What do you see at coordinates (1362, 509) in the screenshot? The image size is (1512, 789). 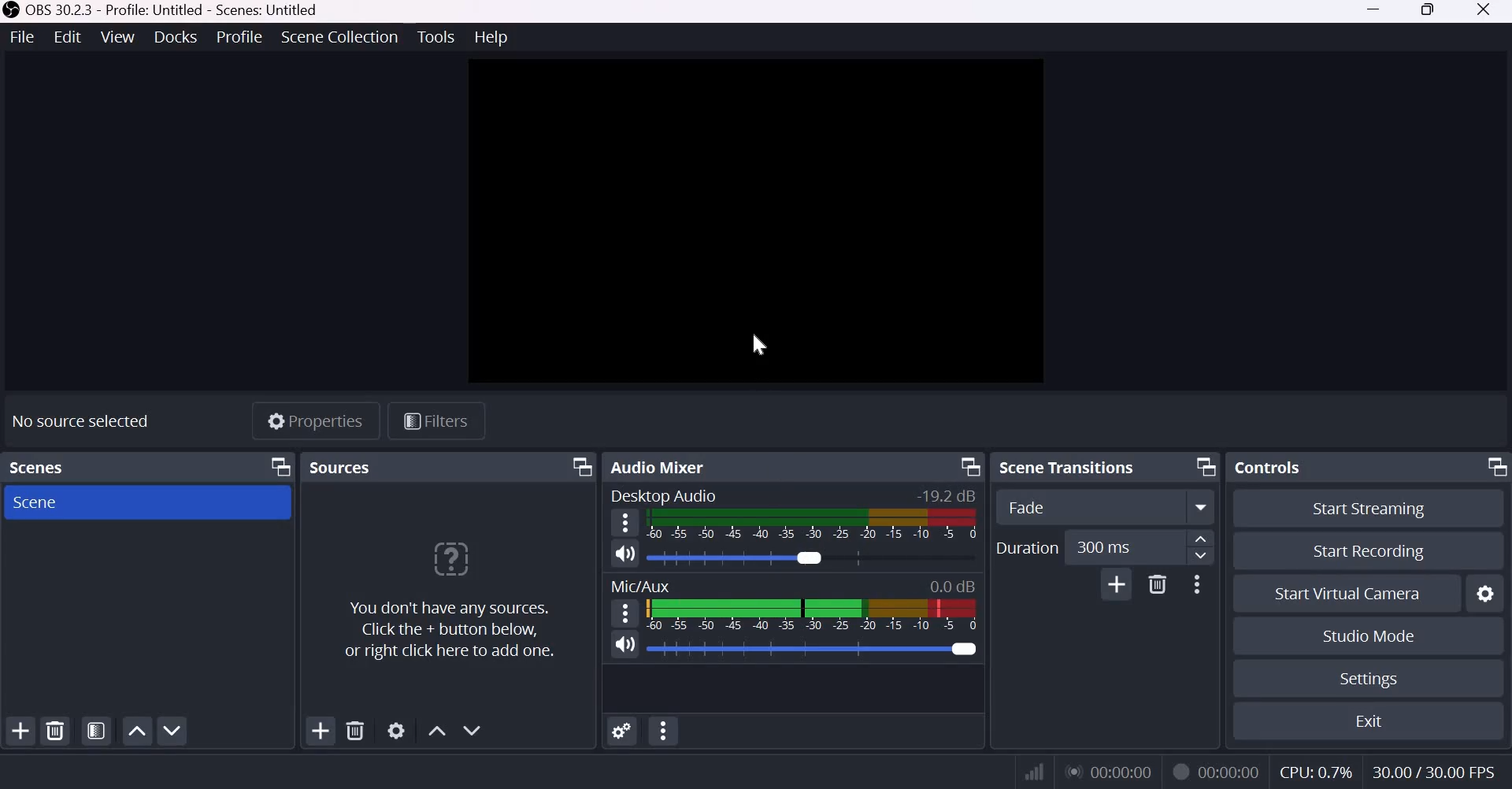 I see `Start Streaming` at bounding box center [1362, 509].